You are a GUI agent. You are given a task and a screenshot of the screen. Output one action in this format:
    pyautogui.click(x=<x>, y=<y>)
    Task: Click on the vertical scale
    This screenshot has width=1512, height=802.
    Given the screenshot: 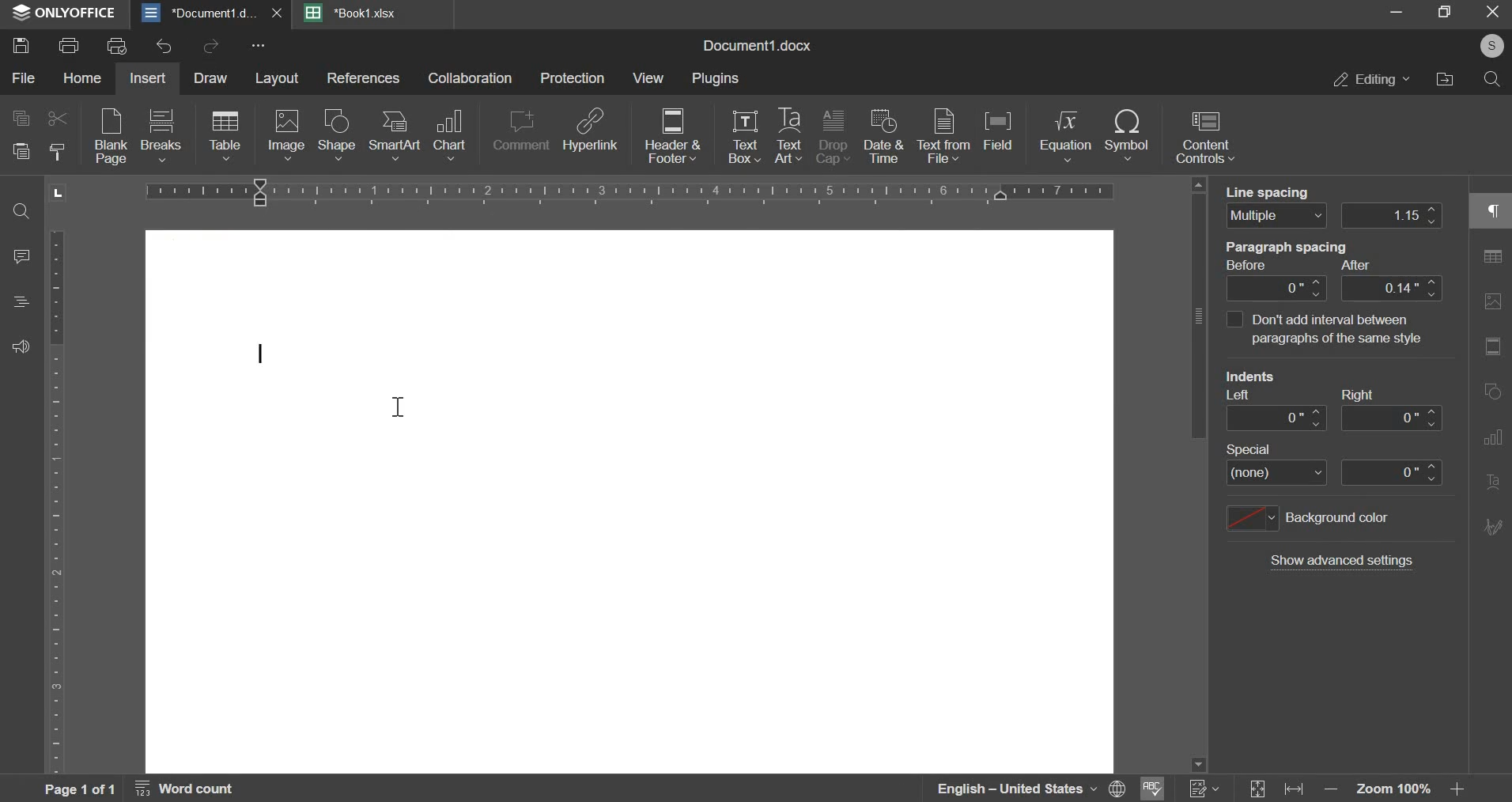 What is the action you would take?
    pyautogui.click(x=56, y=503)
    